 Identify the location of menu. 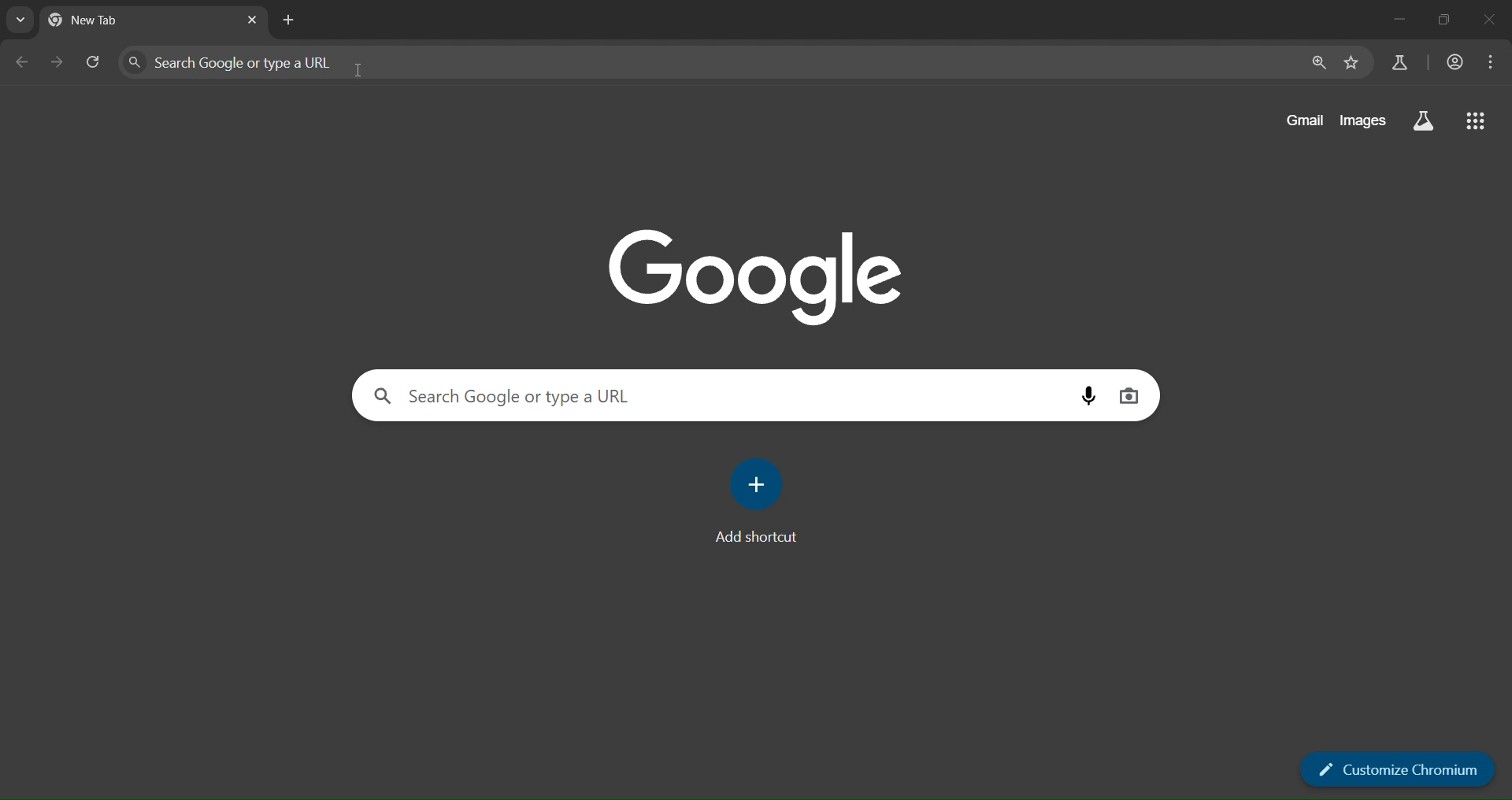
(1489, 61).